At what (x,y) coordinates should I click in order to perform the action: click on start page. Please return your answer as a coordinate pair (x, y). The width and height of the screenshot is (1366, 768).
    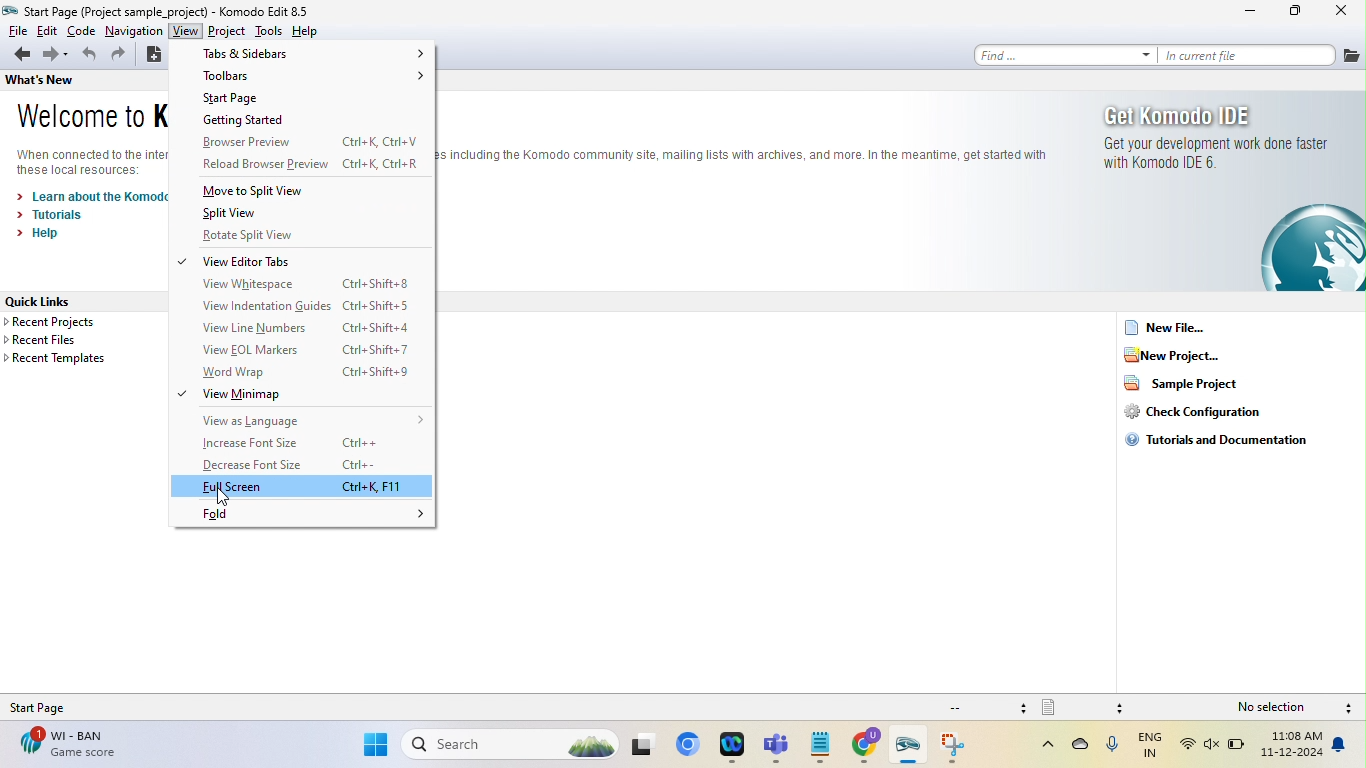
    Looking at the image, I should click on (245, 99).